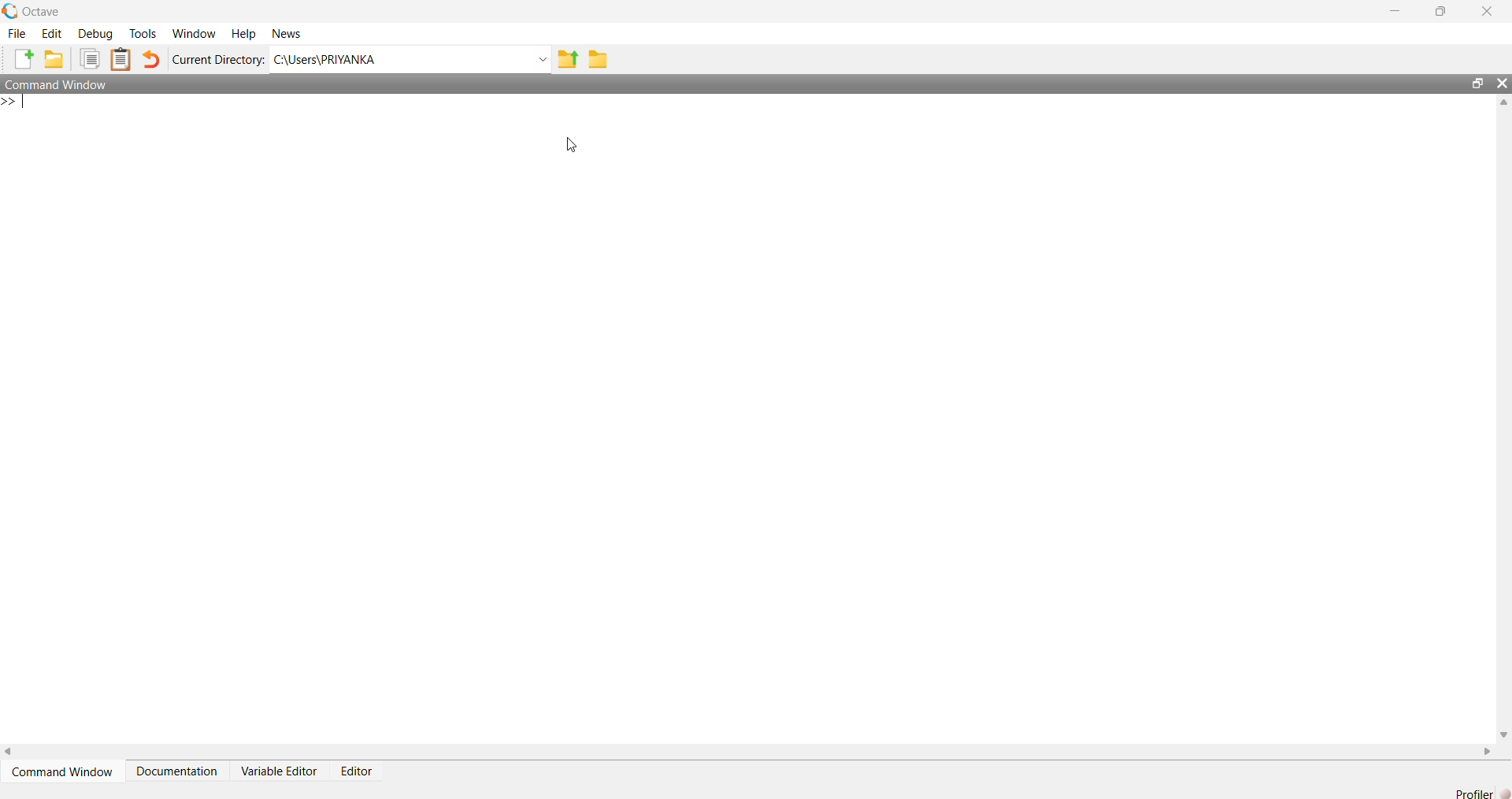  What do you see at coordinates (17, 102) in the screenshot?
I see `Prompt cursor` at bounding box center [17, 102].